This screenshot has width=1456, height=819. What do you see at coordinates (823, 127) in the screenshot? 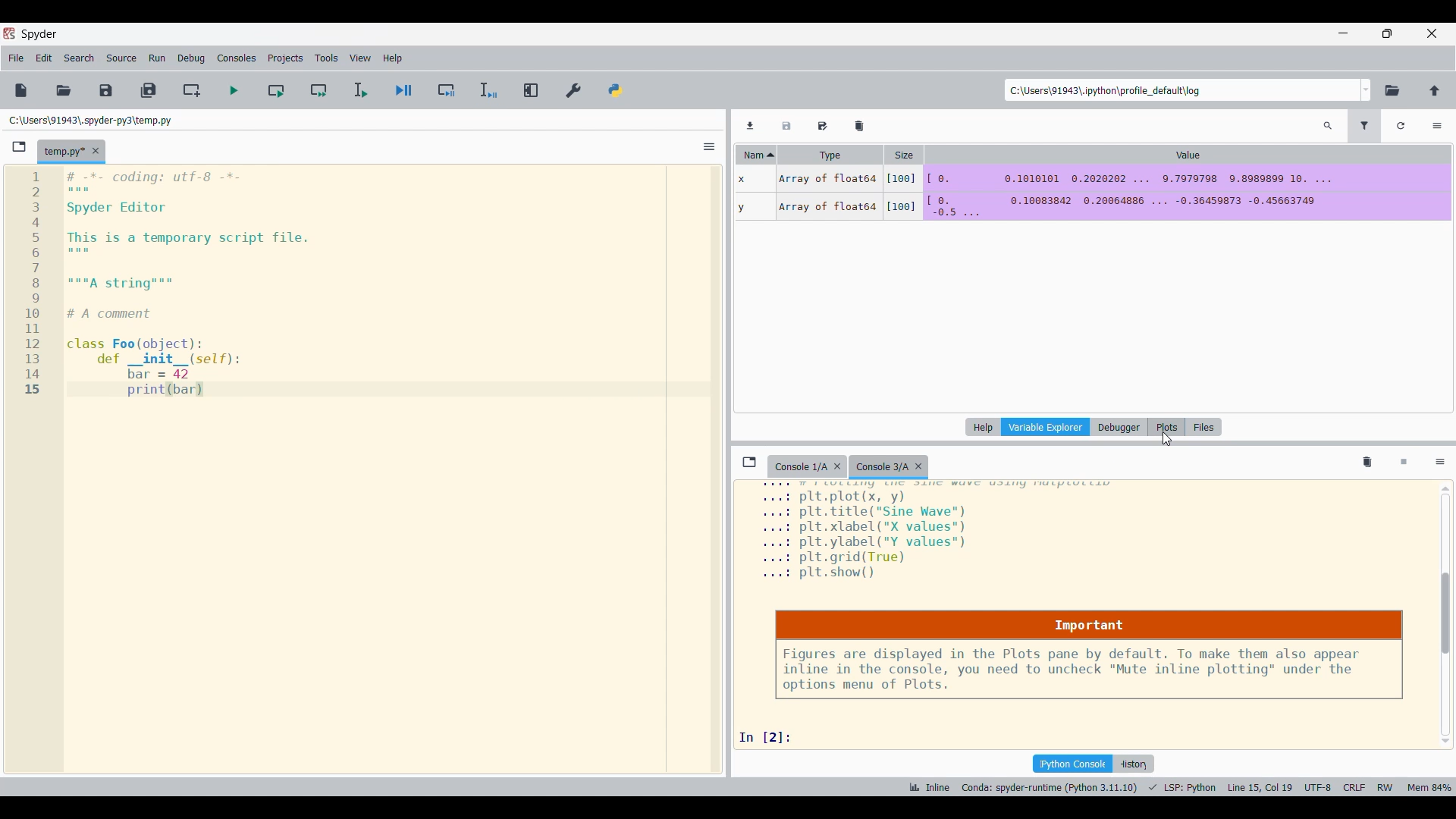
I see `Save data as` at bounding box center [823, 127].